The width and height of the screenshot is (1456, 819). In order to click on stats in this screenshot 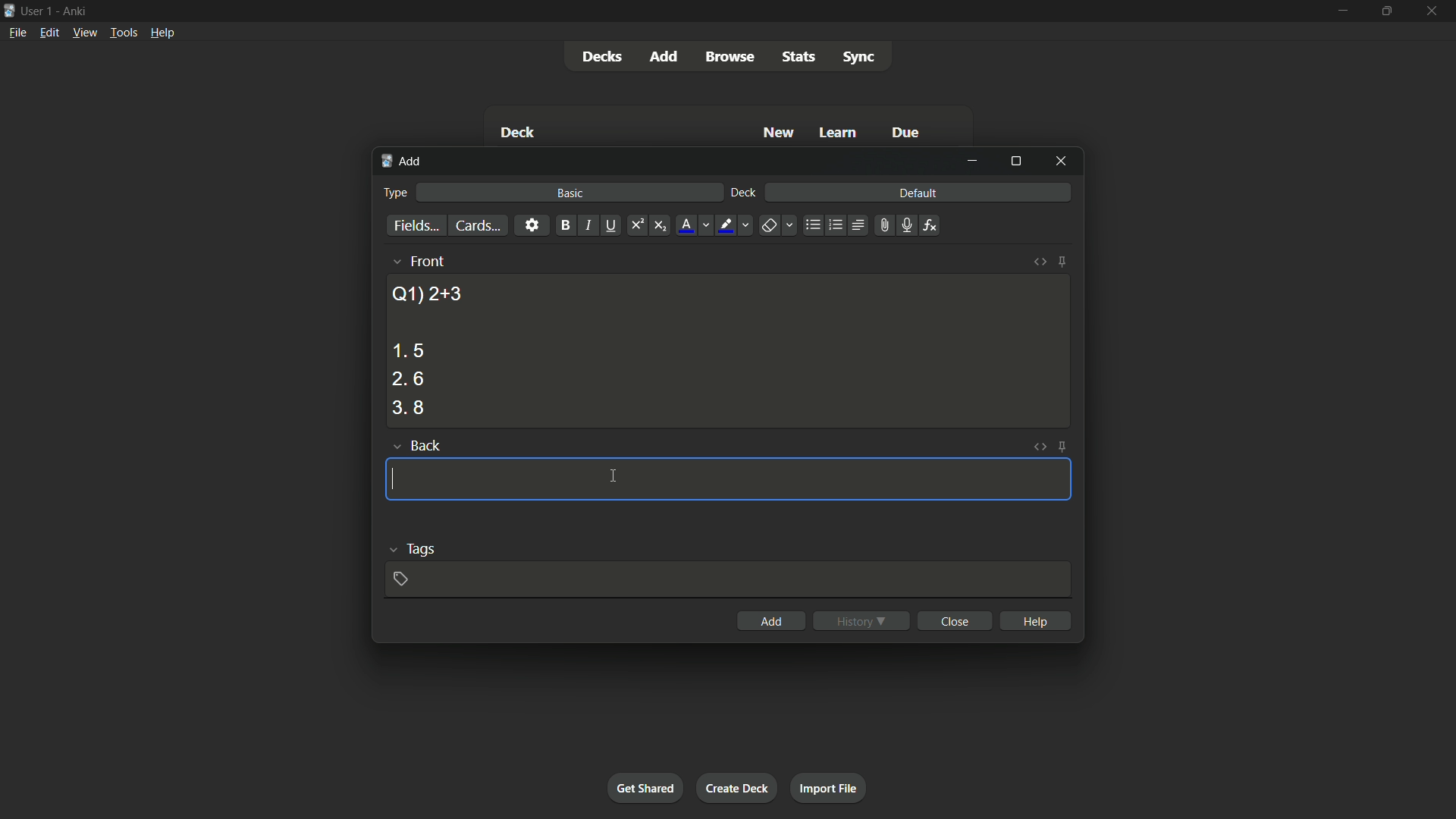, I will do `click(800, 57)`.